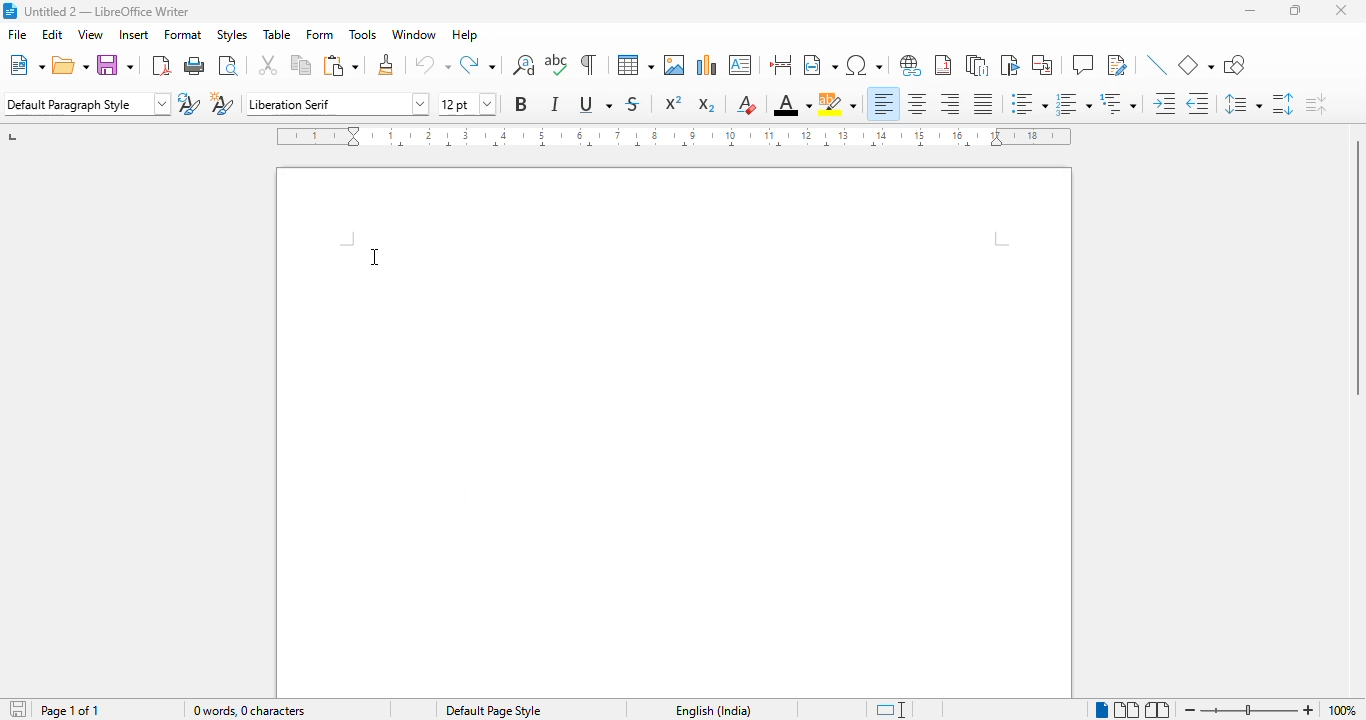 The image size is (1366, 720). What do you see at coordinates (162, 66) in the screenshot?
I see `export directly as PDF` at bounding box center [162, 66].